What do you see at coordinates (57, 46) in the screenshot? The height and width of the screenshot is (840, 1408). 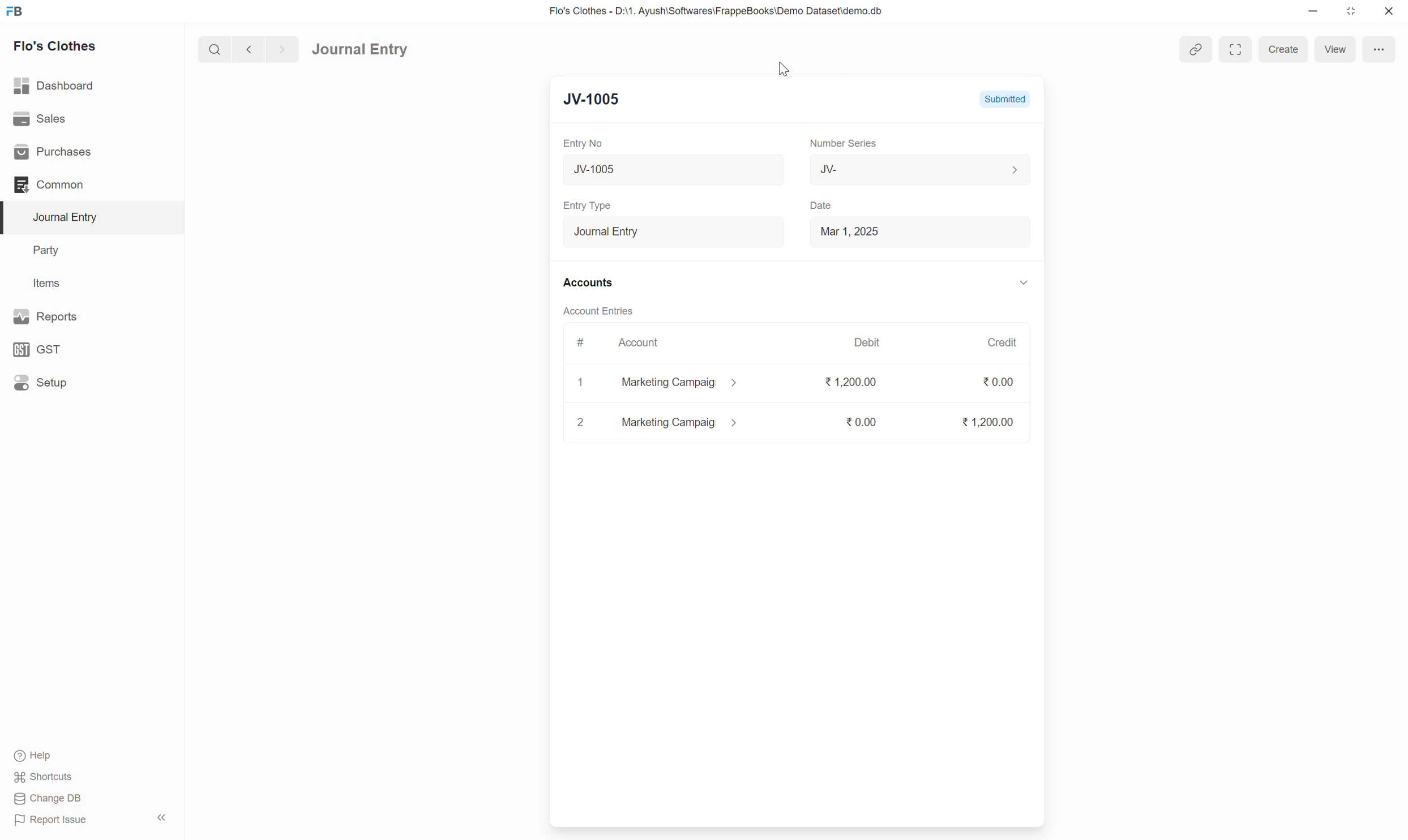 I see `Flo's Clothes` at bounding box center [57, 46].